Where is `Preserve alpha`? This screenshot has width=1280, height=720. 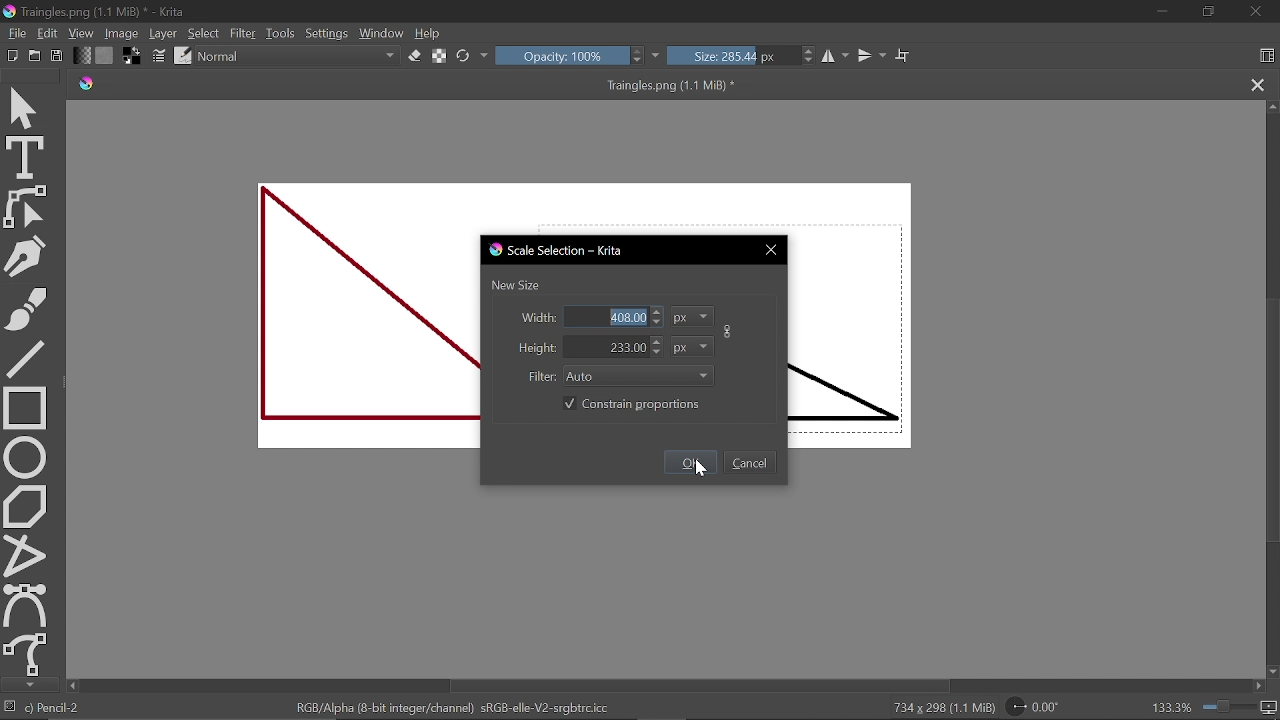
Preserve alpha is located at coordinates (438, 57).